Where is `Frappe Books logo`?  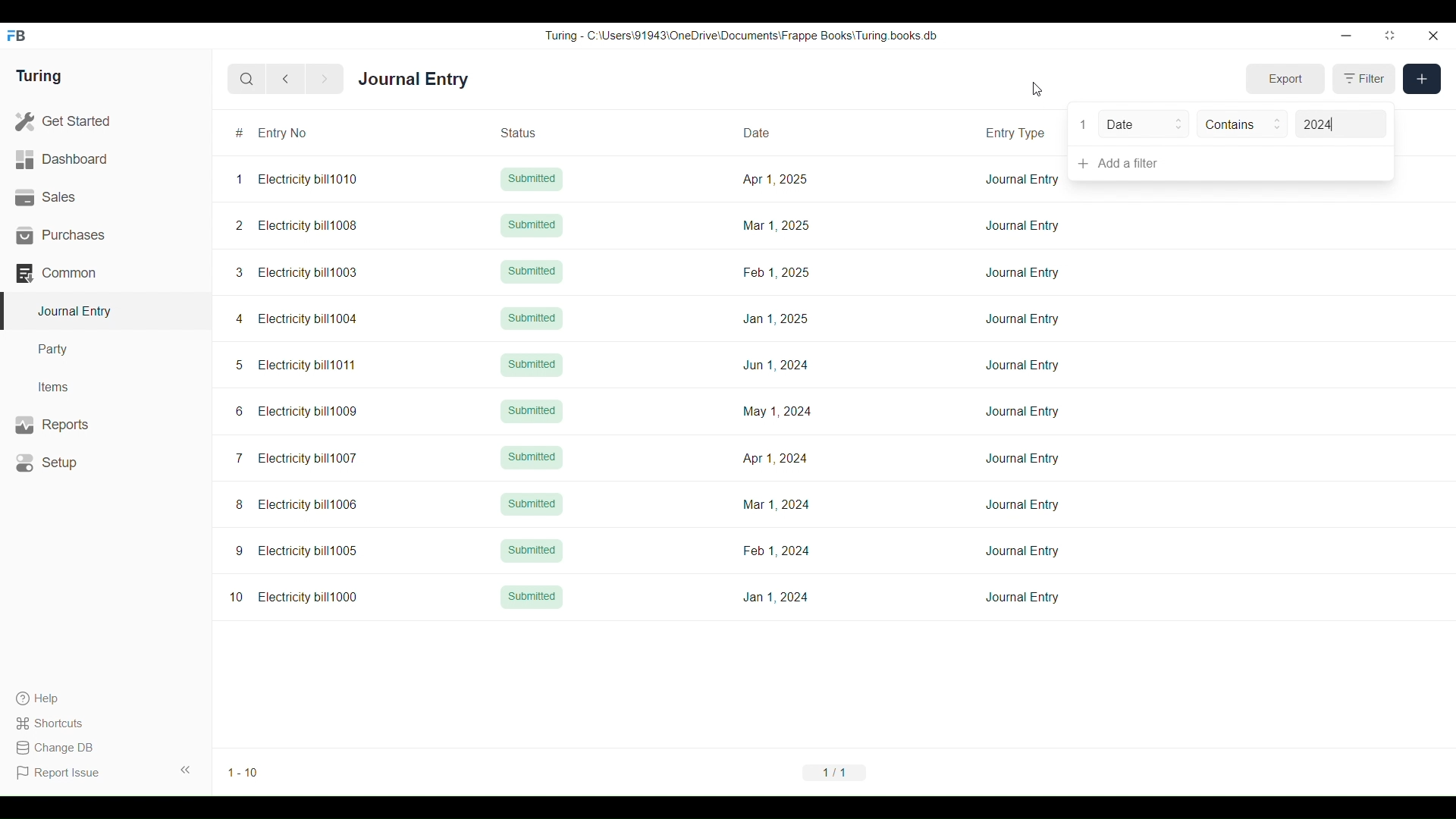 Frappe Books logo is located at coordinates (15, 36).